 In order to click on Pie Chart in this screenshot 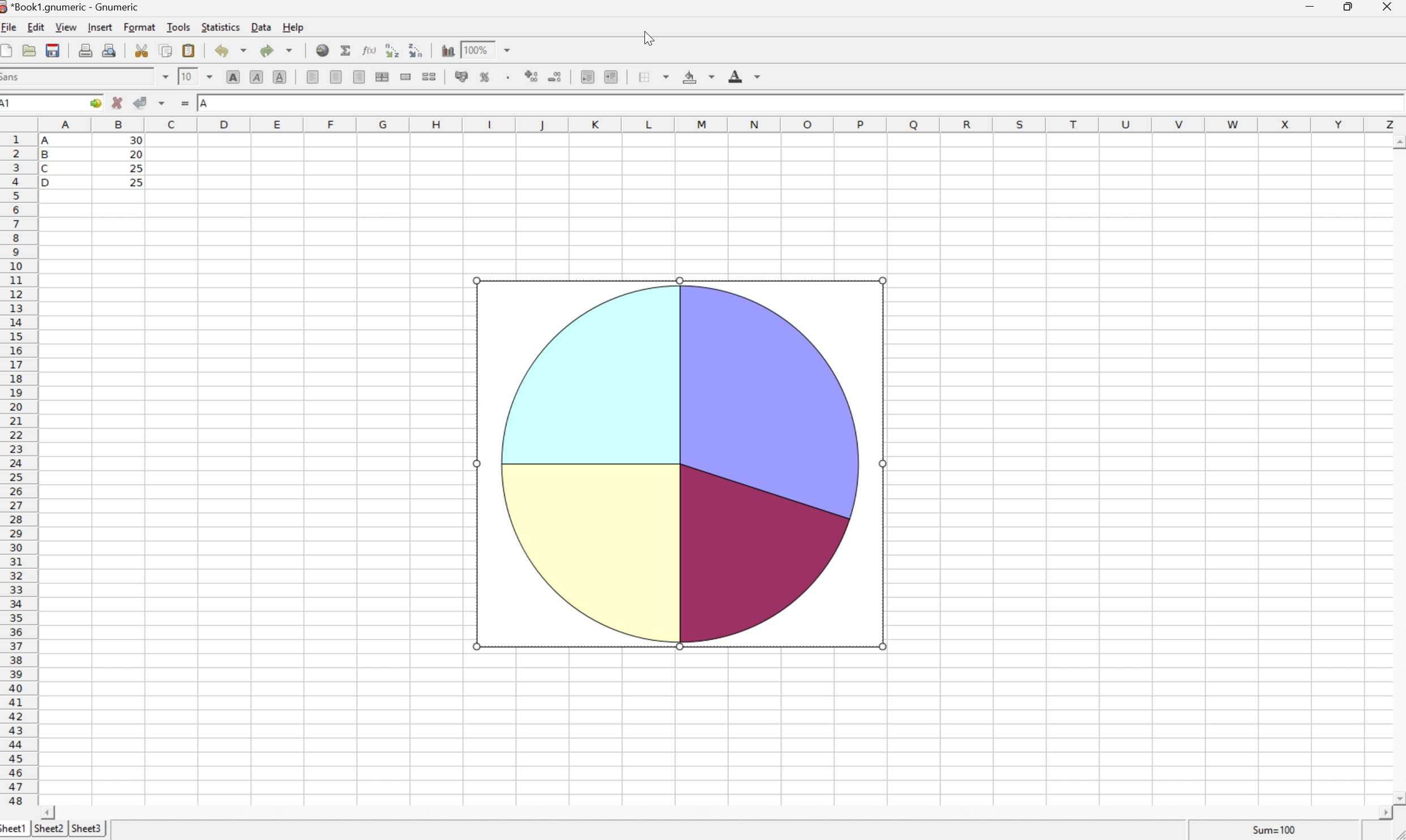, I will do `click(680, 464)`.